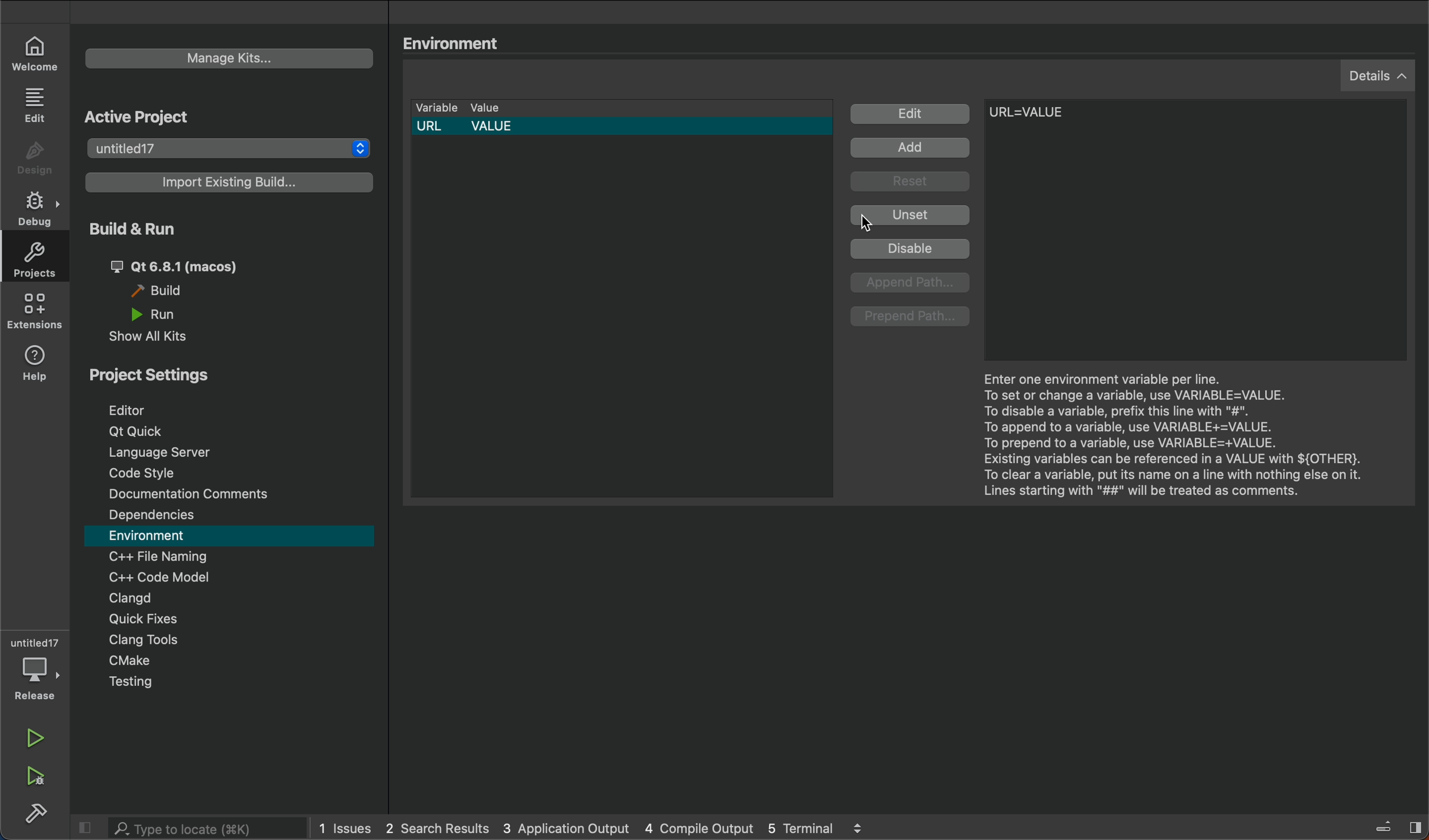 Image resolution: width=1429 pixels, height=840 pixels. I want to click on variable, so click(435, 108).